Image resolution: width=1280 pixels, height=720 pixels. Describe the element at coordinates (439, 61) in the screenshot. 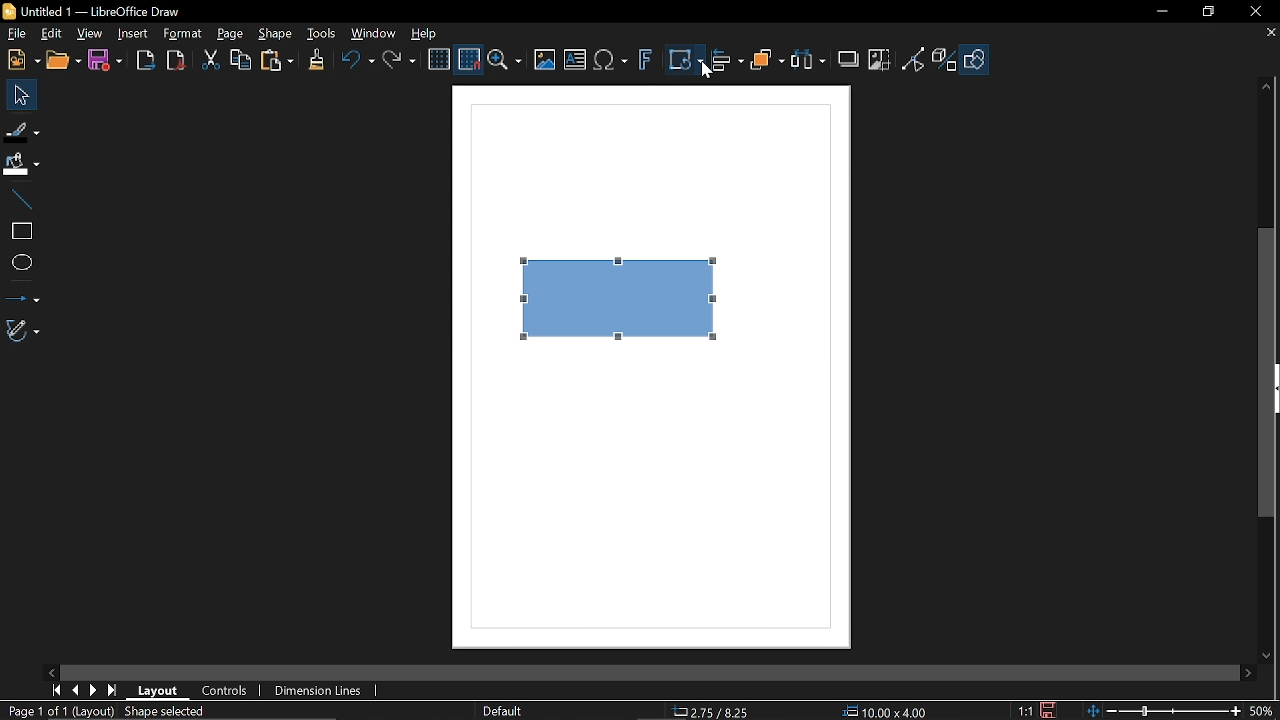

I see `Display grid` at that location.